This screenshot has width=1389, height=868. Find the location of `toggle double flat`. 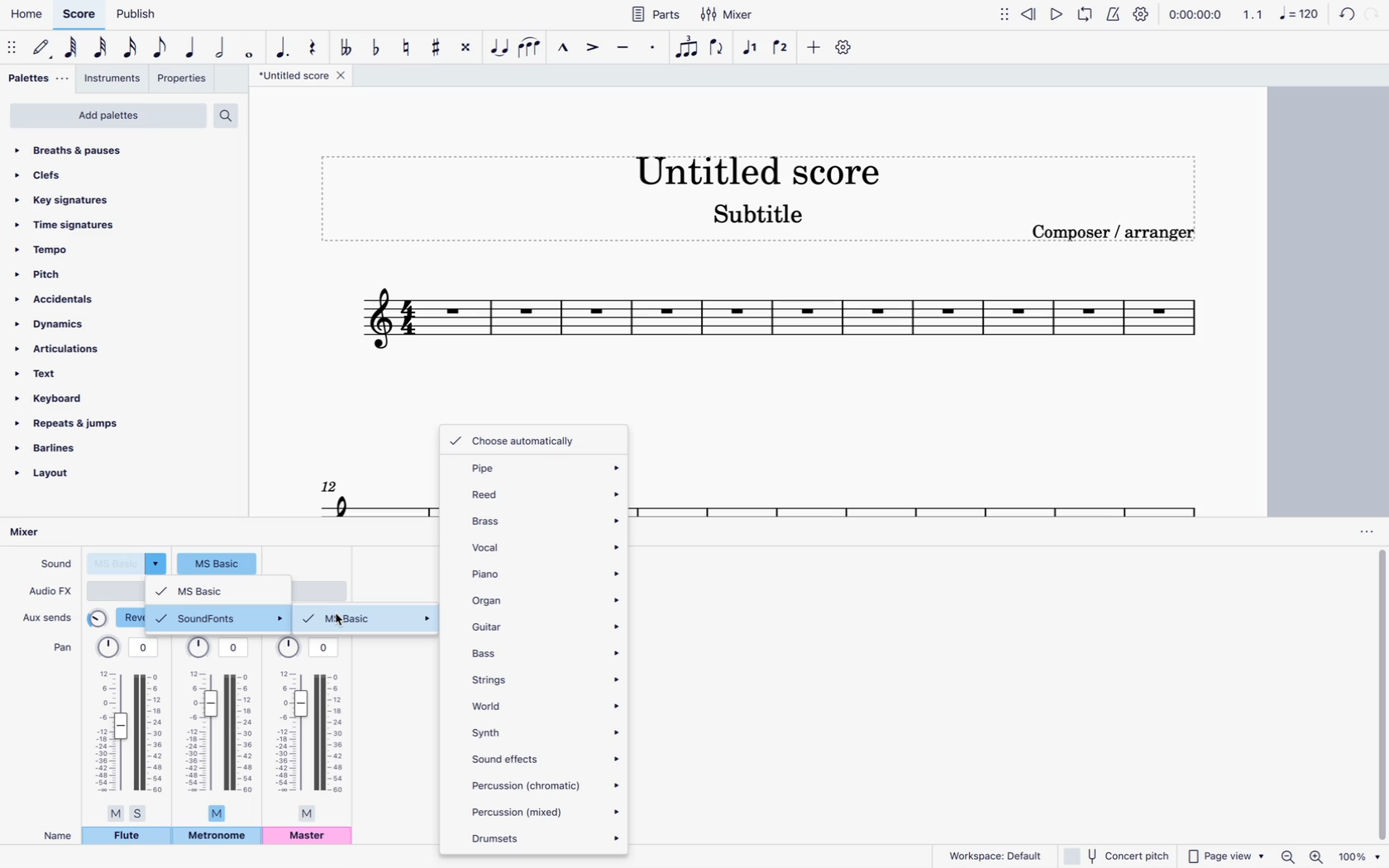

toggle double flat is located at coordinates (346, 47).